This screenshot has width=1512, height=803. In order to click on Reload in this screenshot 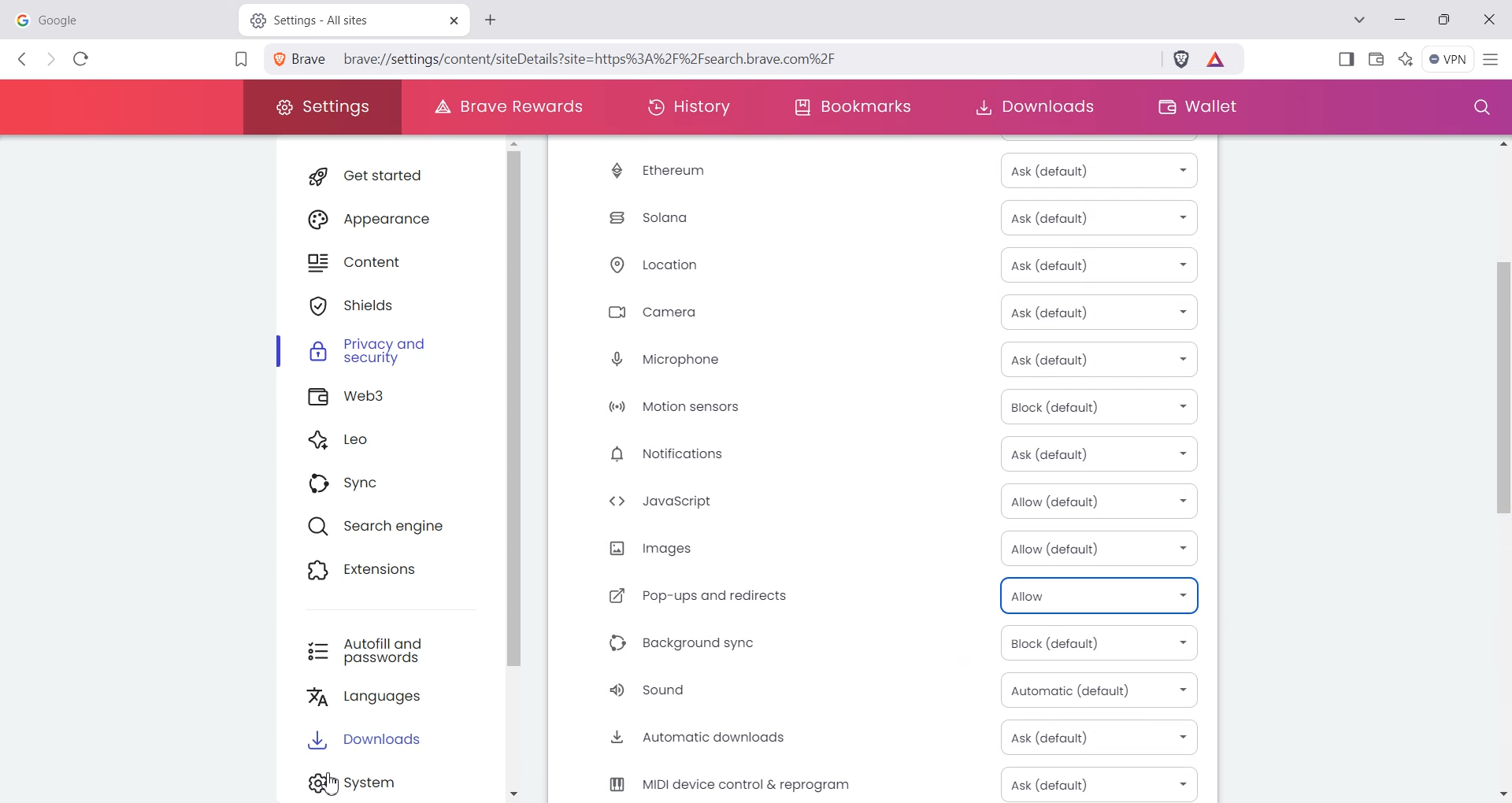, I will do `click(81, 58)`.